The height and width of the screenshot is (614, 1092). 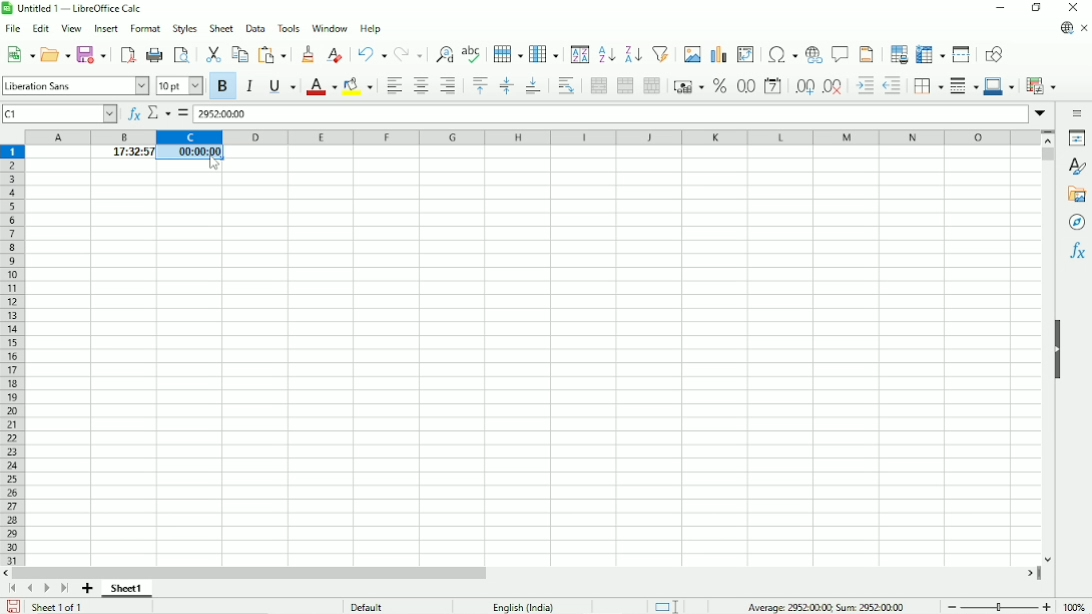 What do you see at coordinates (443, 53) in the screenshot?
I see `Find and replace` at bounding box center [443, 53].